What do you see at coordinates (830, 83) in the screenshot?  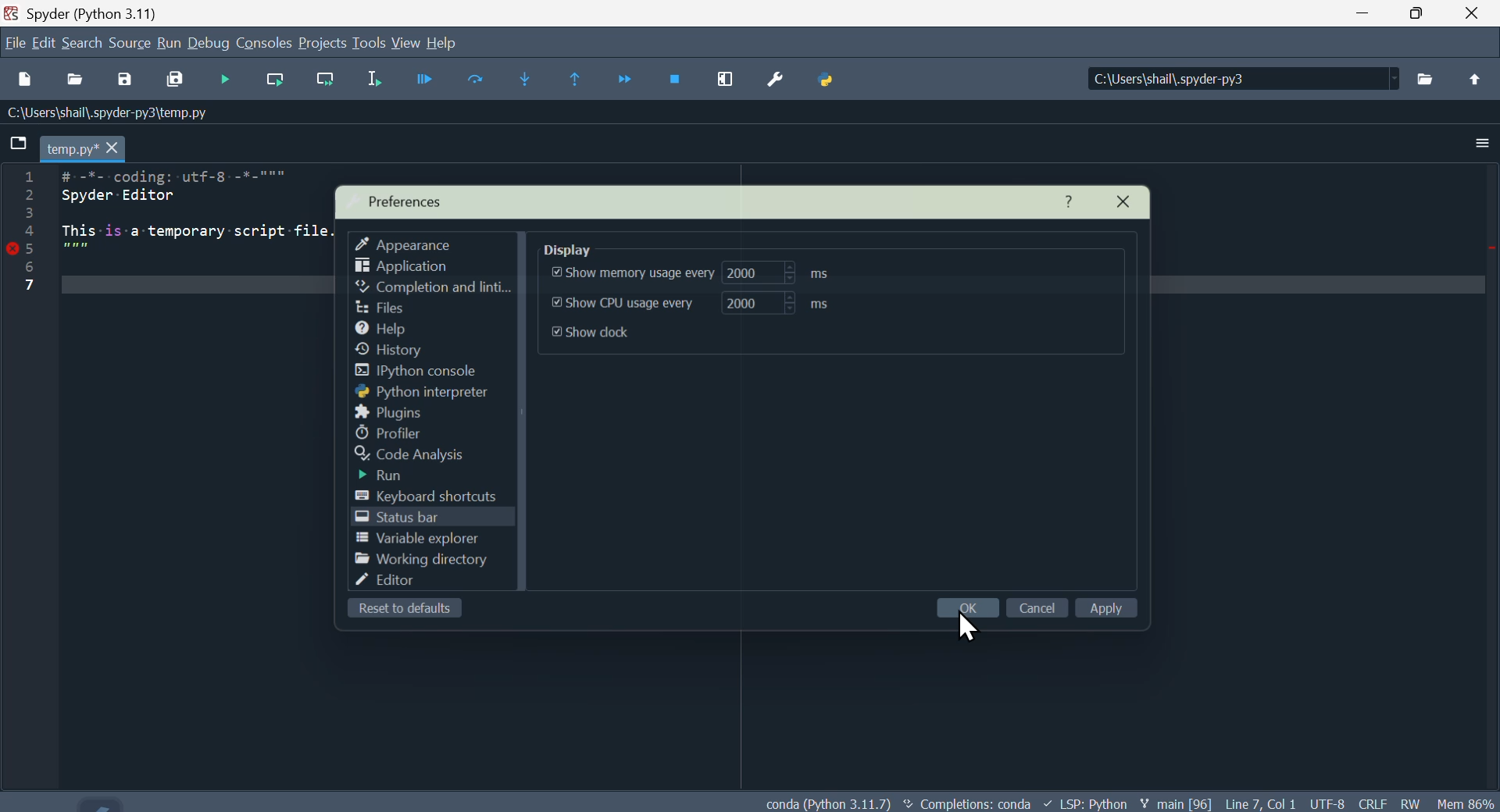 I see `Python path manager` at bounding box center [830, 83].